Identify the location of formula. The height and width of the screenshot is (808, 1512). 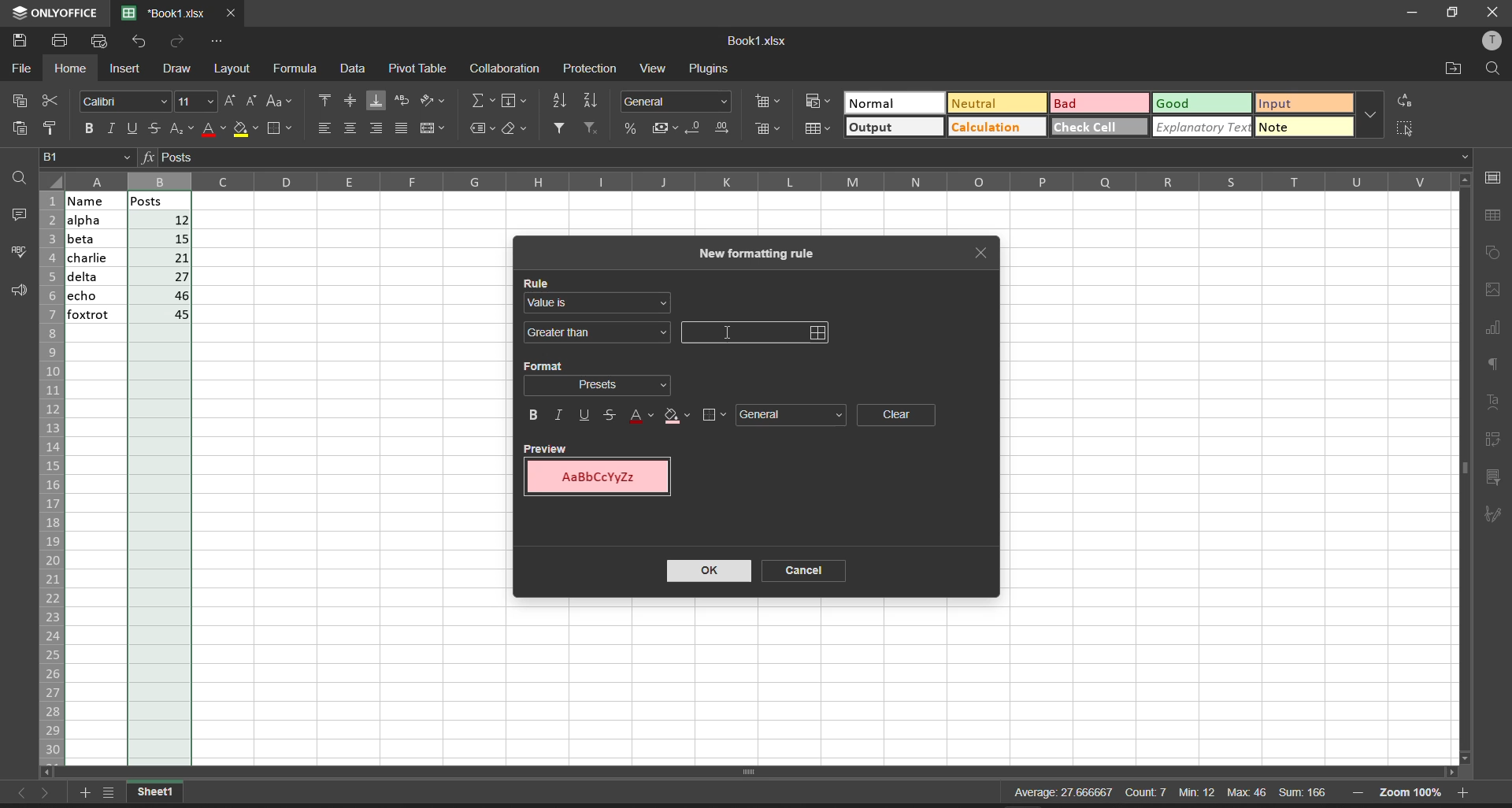
(297, 68).